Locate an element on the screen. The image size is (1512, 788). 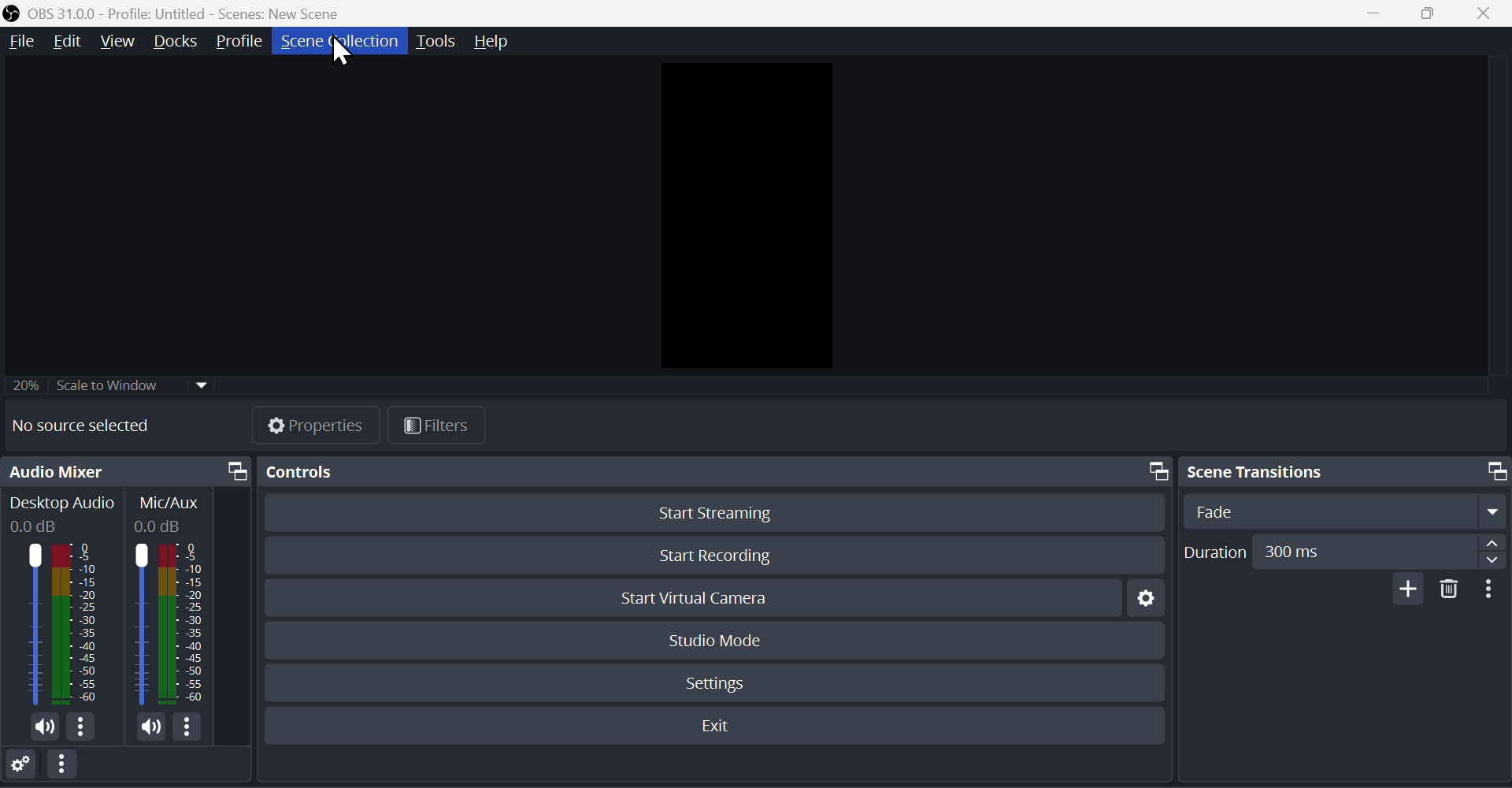
OBS 30.0 .0 Profile: untitled, Scenes: New scenes is located at coordinates (180, 13).